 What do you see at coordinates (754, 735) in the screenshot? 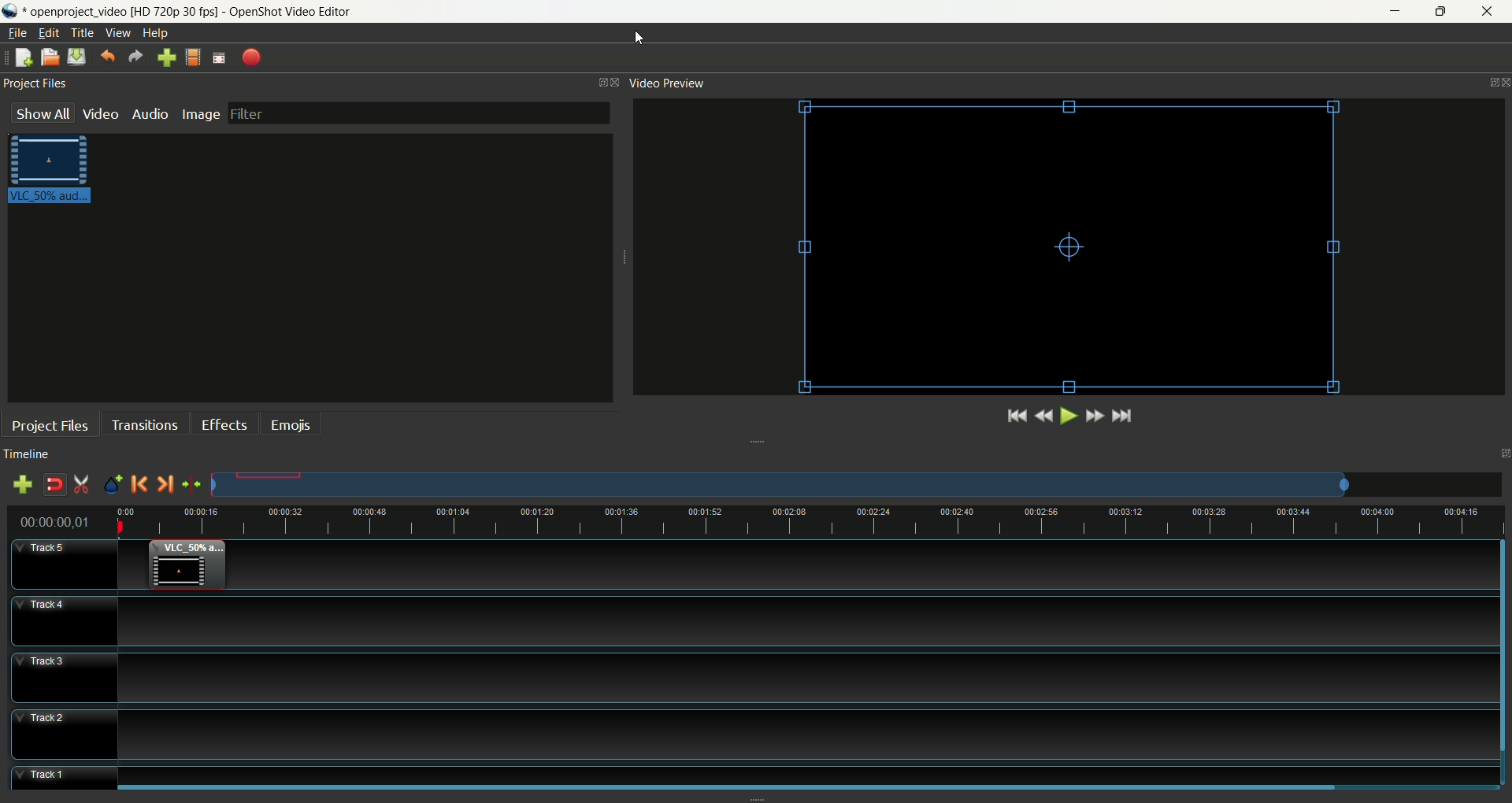
I see `track2` at bounding box center [754, 735].